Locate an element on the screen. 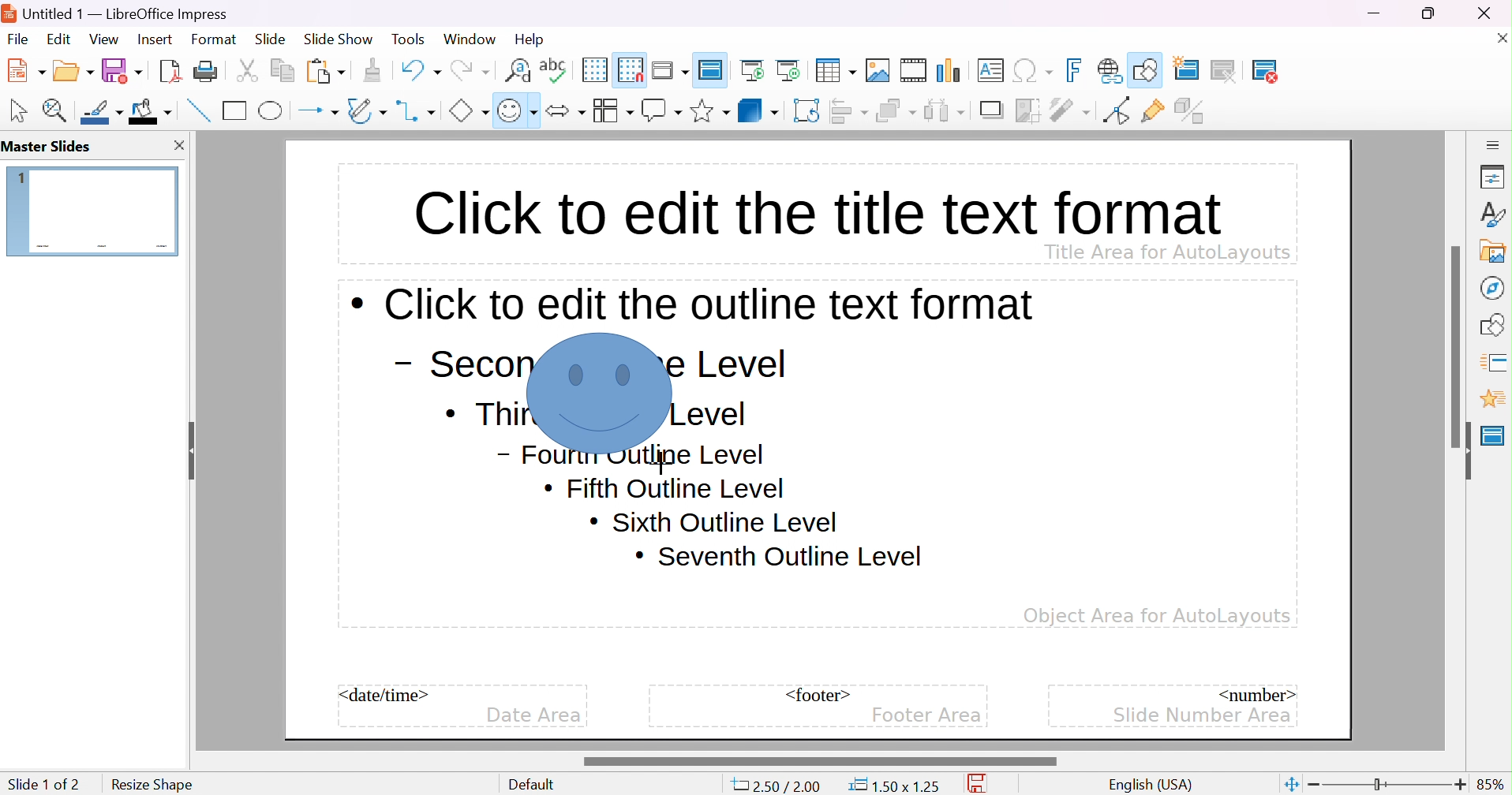  cut is located at coordinates (247, 70).